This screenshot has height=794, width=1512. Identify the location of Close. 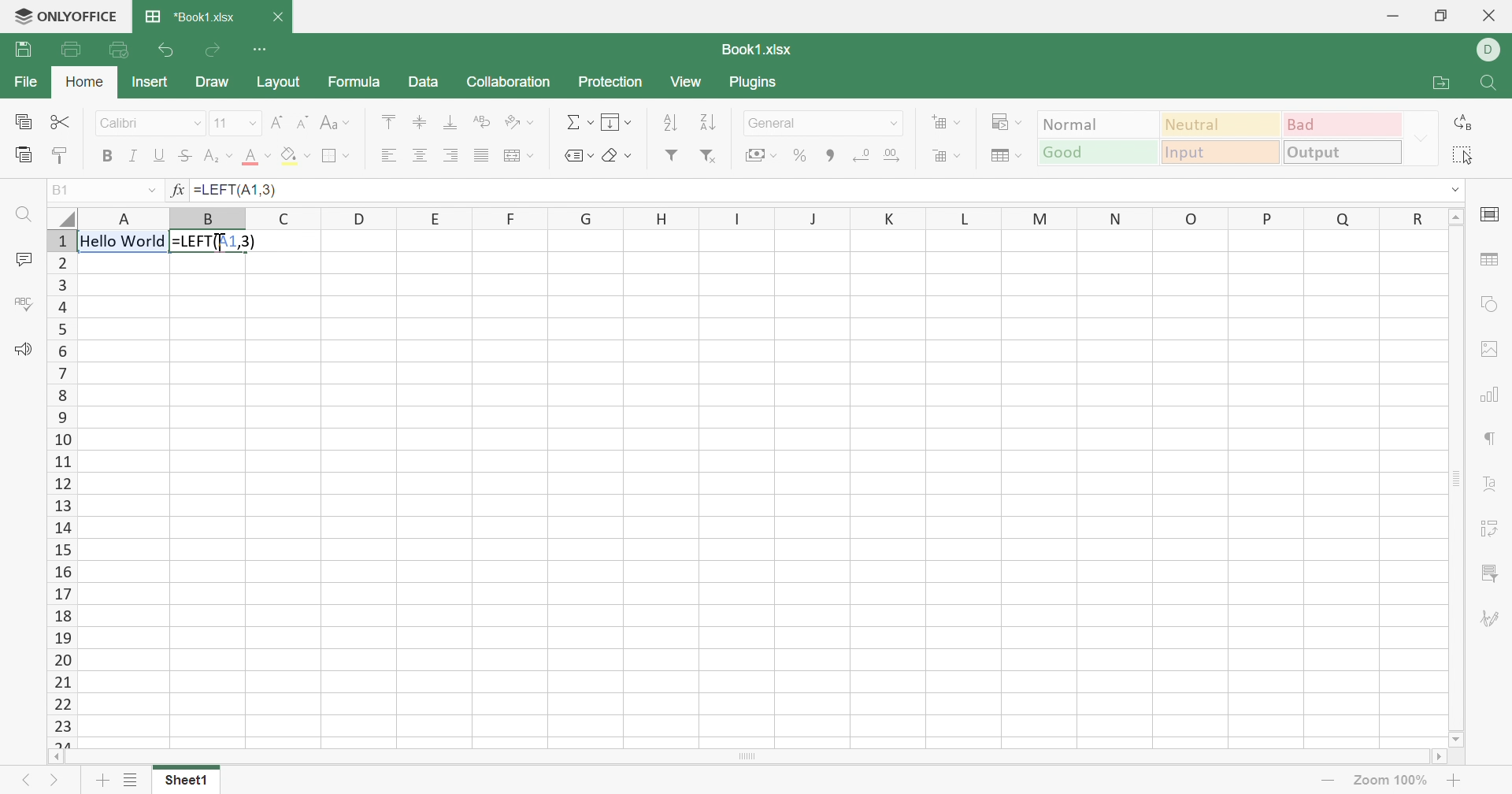
(1491, 15).